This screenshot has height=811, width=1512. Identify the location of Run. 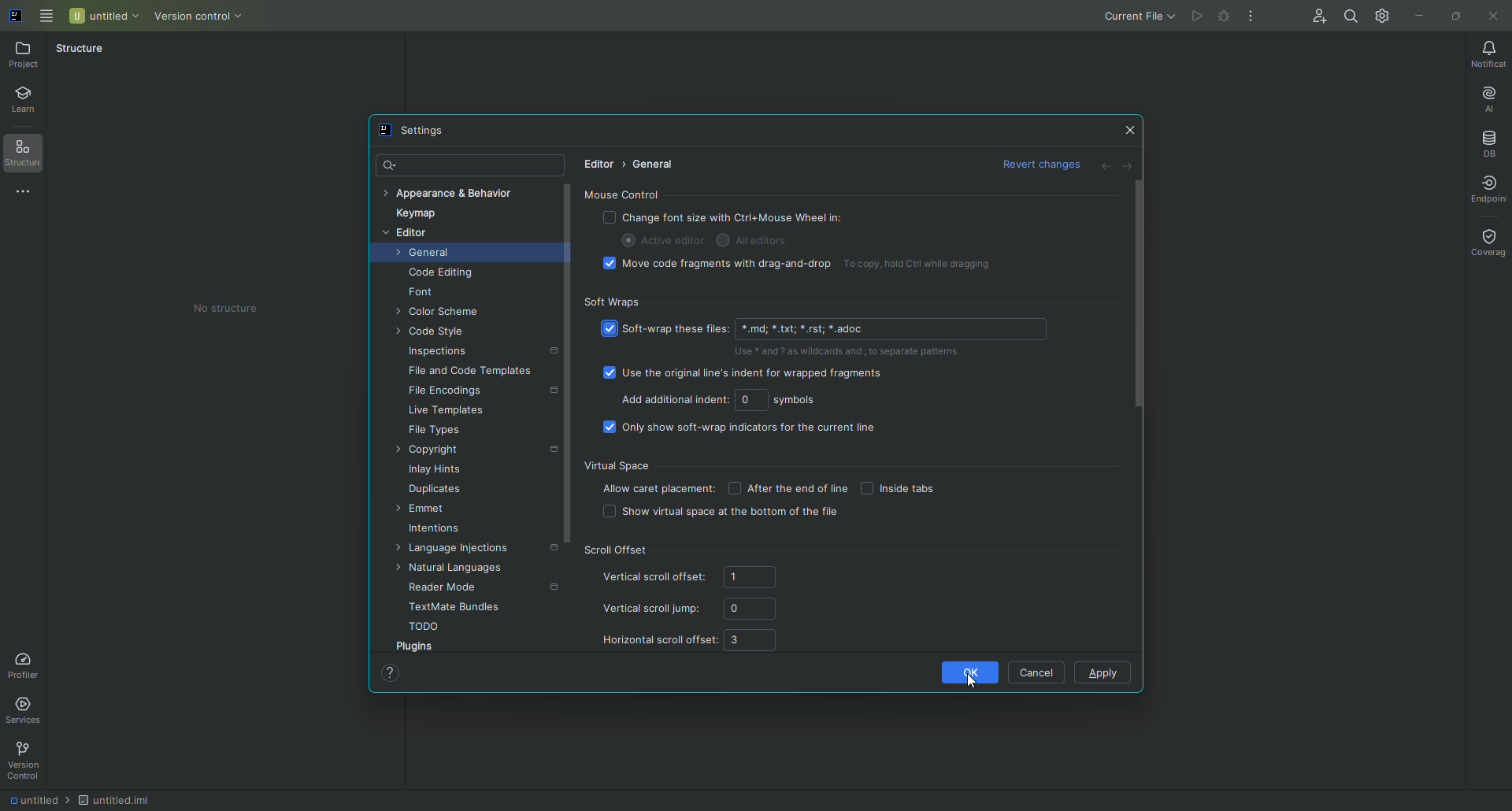
(1195, 17).